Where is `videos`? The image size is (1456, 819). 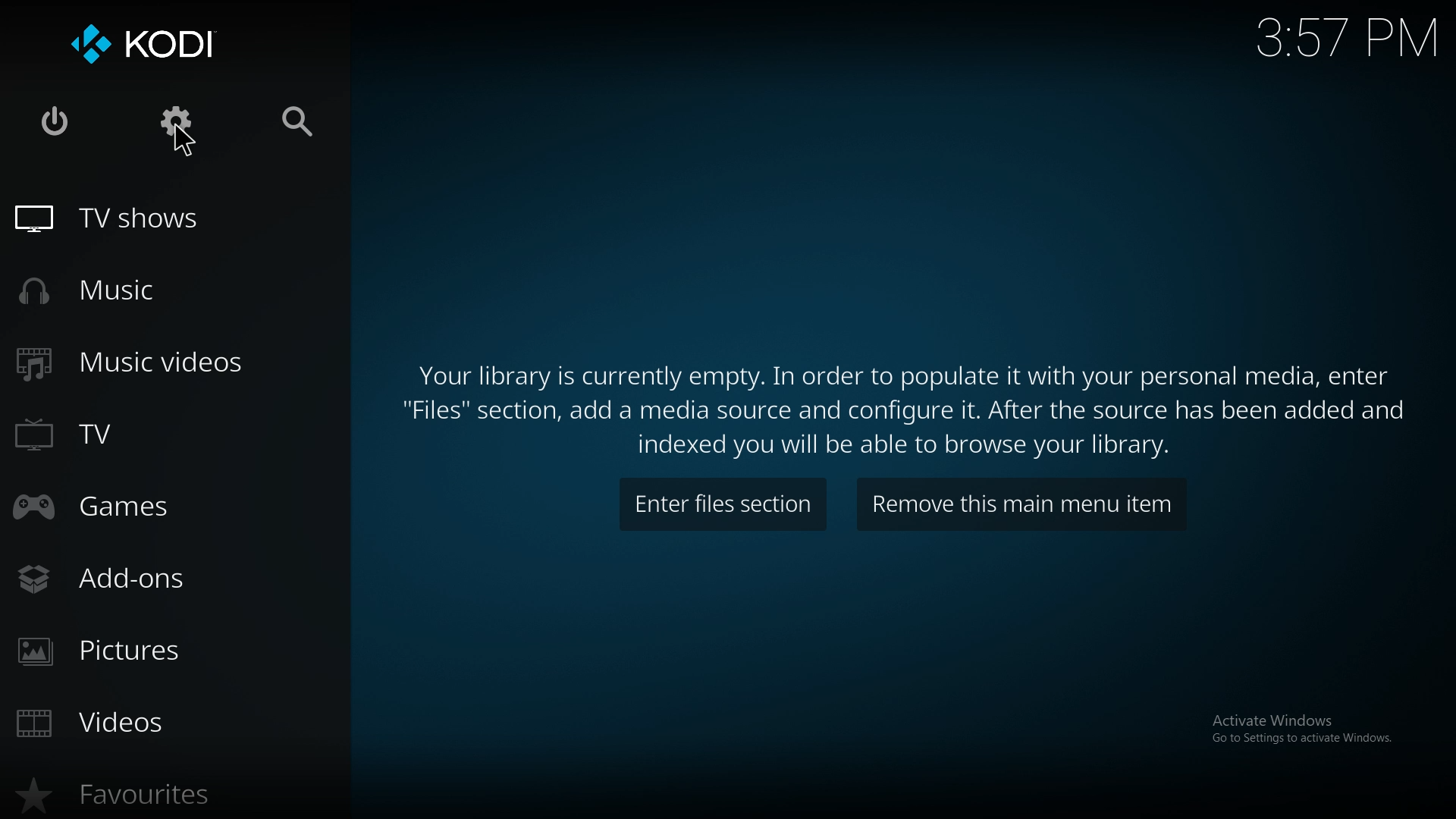
videos is located at coordinates (153, 723).